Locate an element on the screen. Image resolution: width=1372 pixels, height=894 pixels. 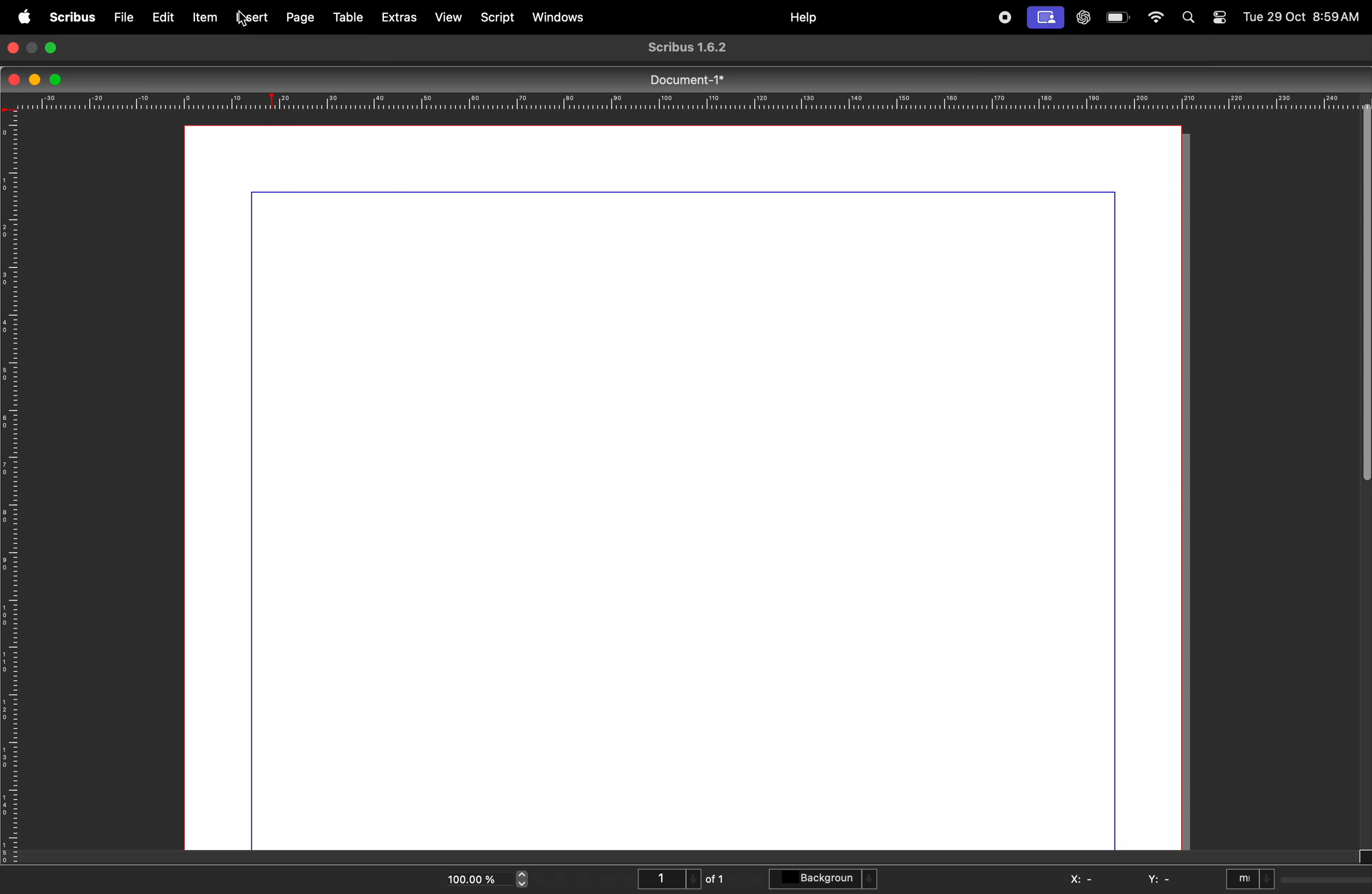
closing window is located at coordinates (15, 78).